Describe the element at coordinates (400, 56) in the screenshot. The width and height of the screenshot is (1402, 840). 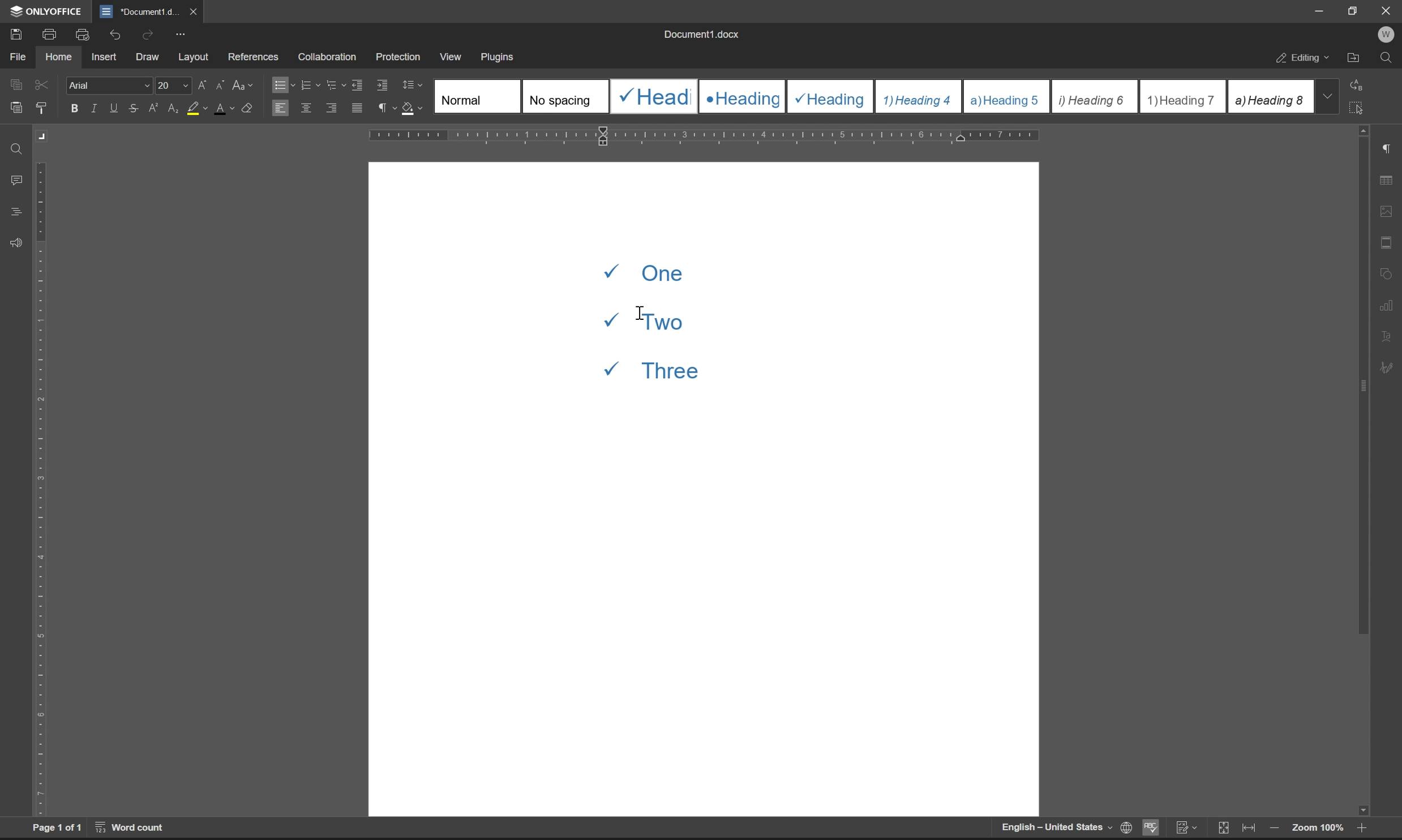
I see `protection` at that location.